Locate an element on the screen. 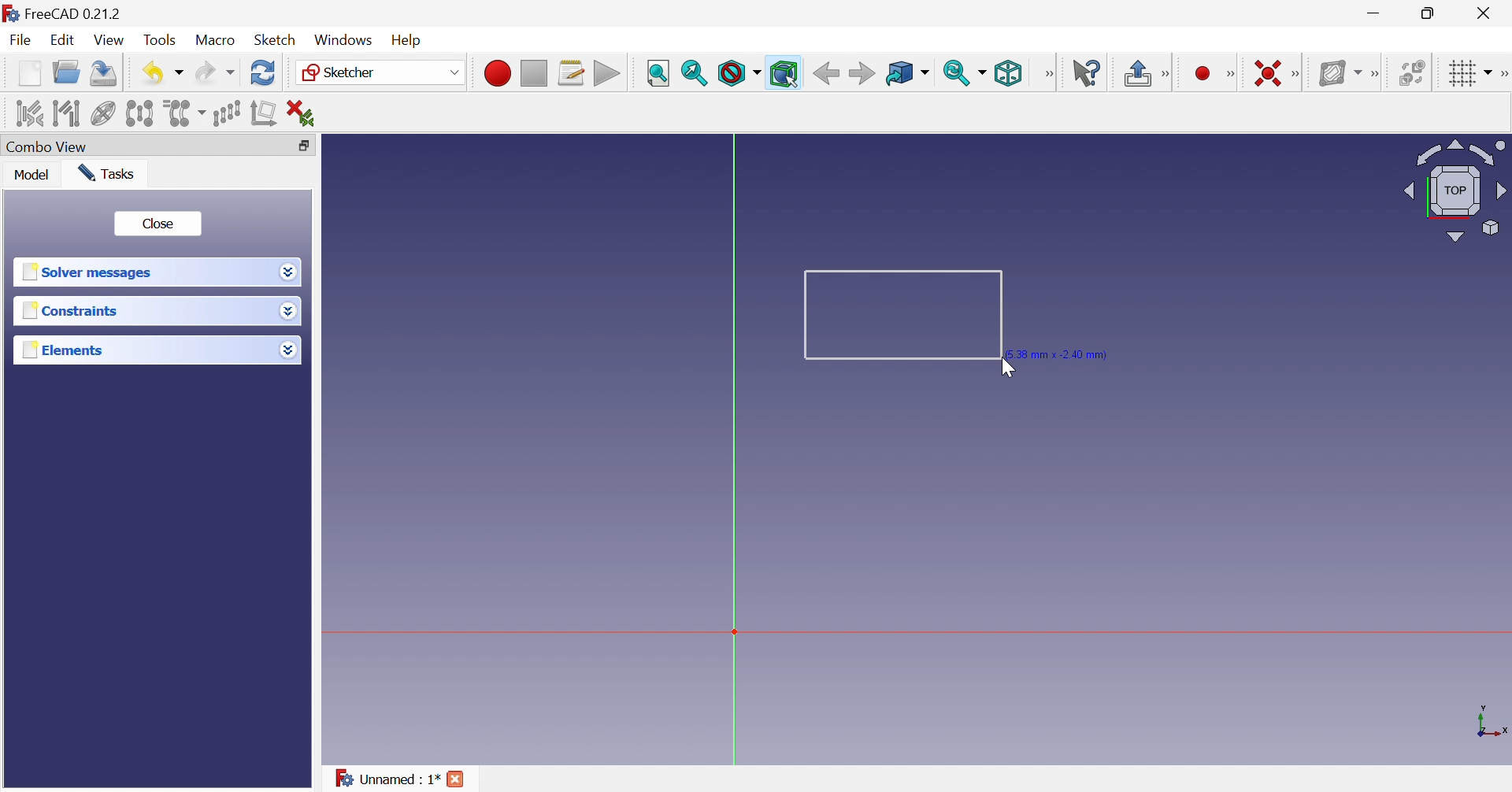 This screenshot has height=792, width=1512. Isometric is located at coordinates (1011, 72).